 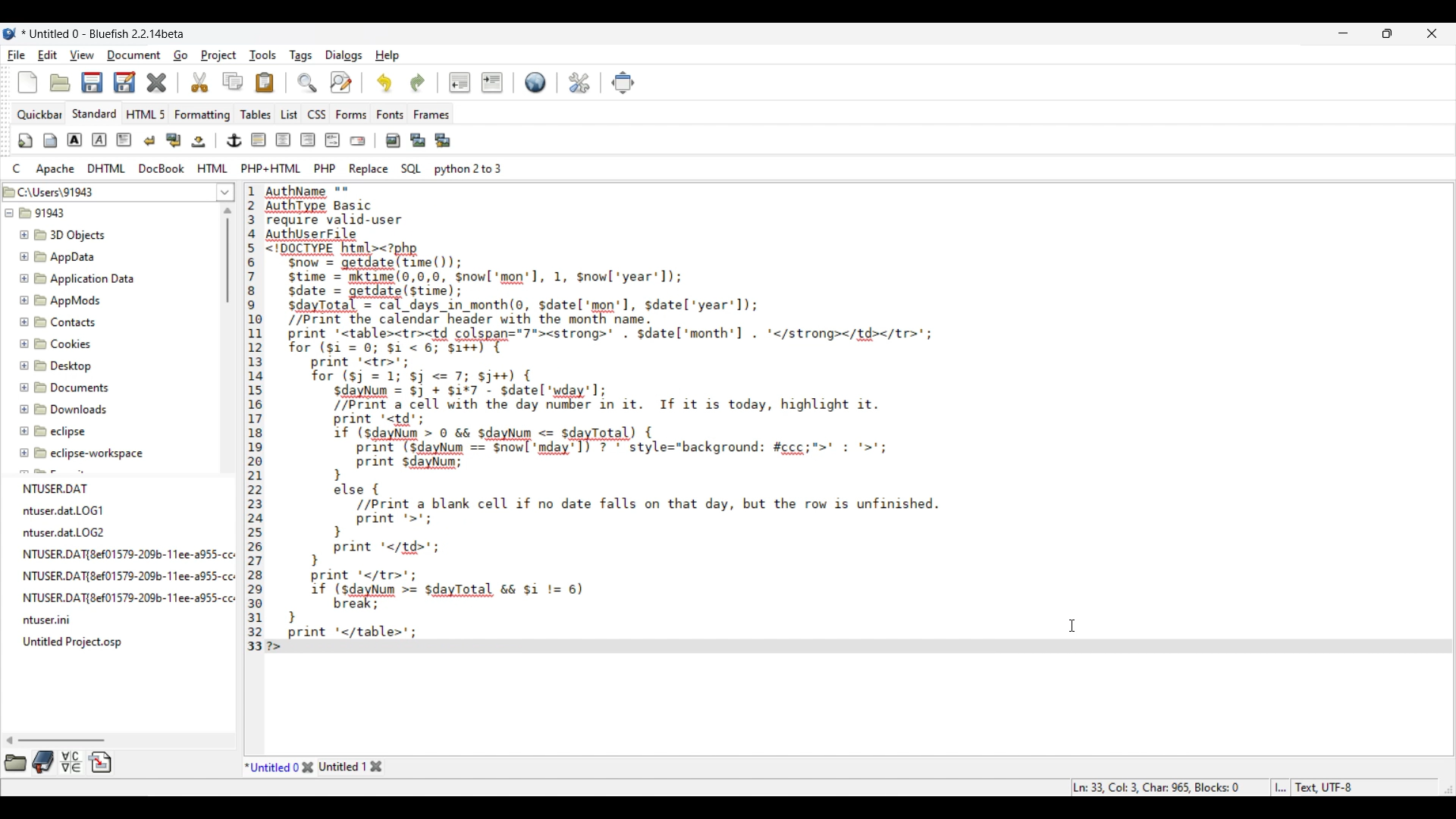 What do you see at coordinates (27, 82) in the screenshot?
I see `New` at bounding box center [27, 82].